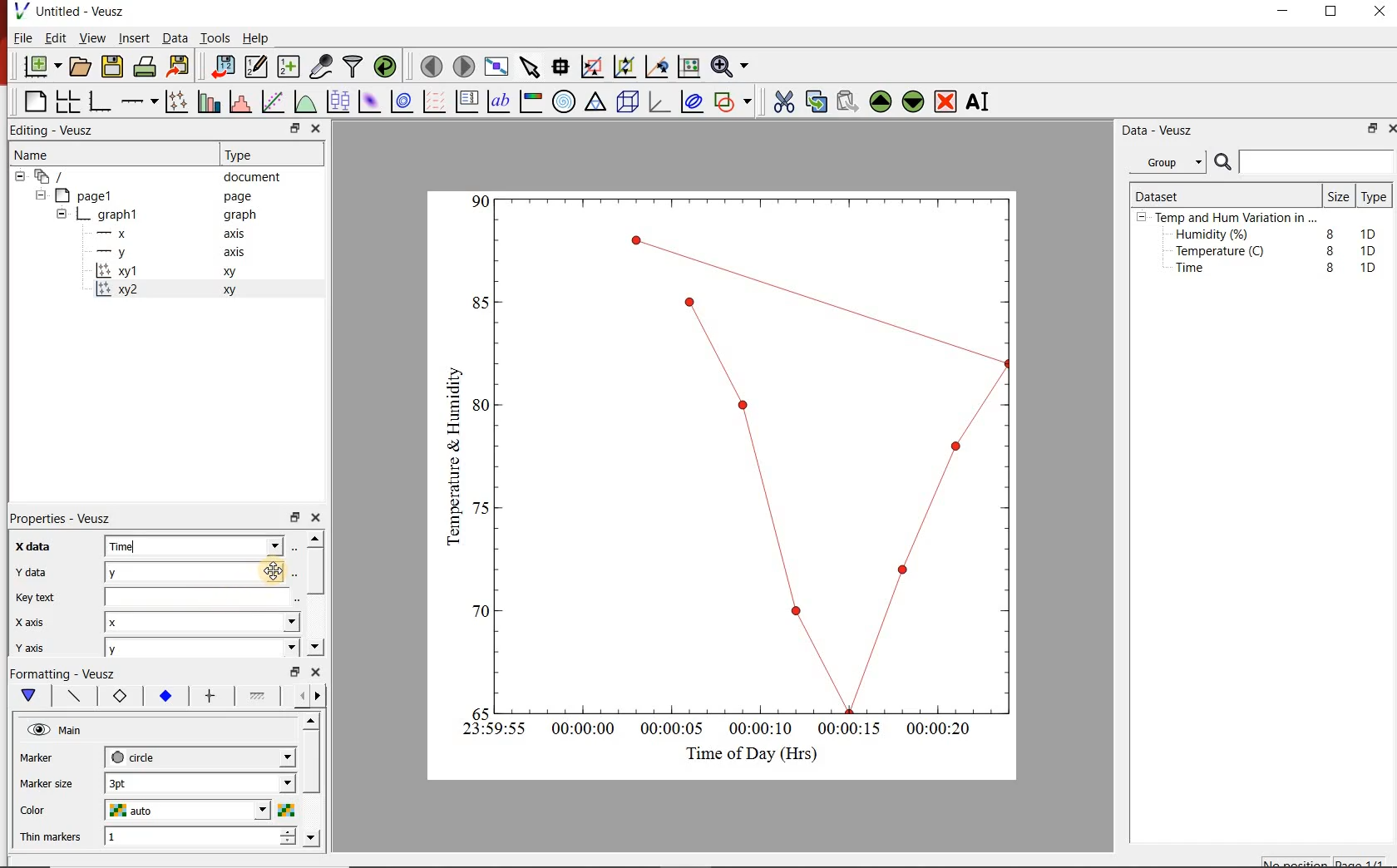 The image size is (1397, 868). Describe the element at coordinates (41, 67) in the screenshot. I see `new document` at that location.